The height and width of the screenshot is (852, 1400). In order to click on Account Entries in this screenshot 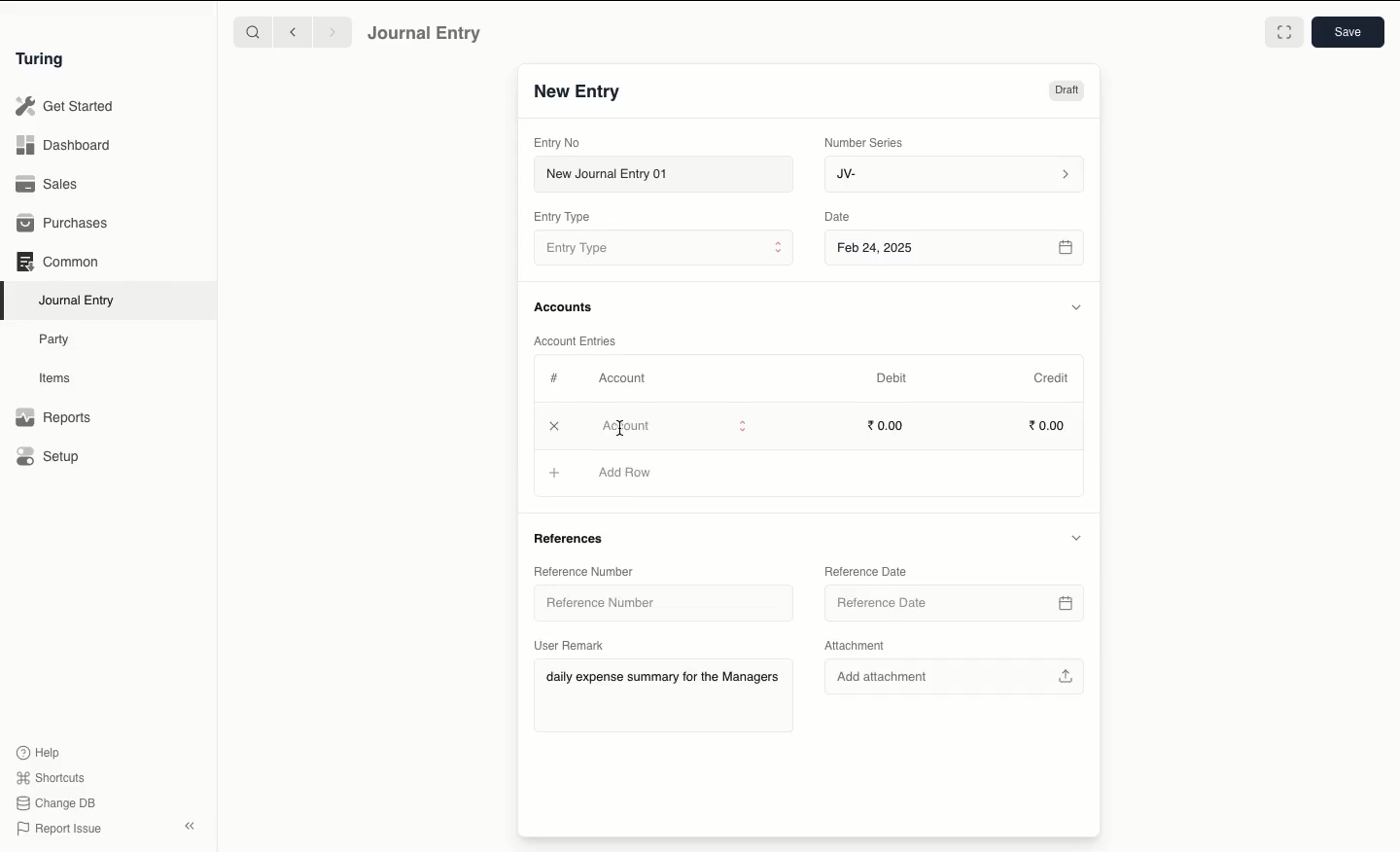, I will do `click(578, 340)`.